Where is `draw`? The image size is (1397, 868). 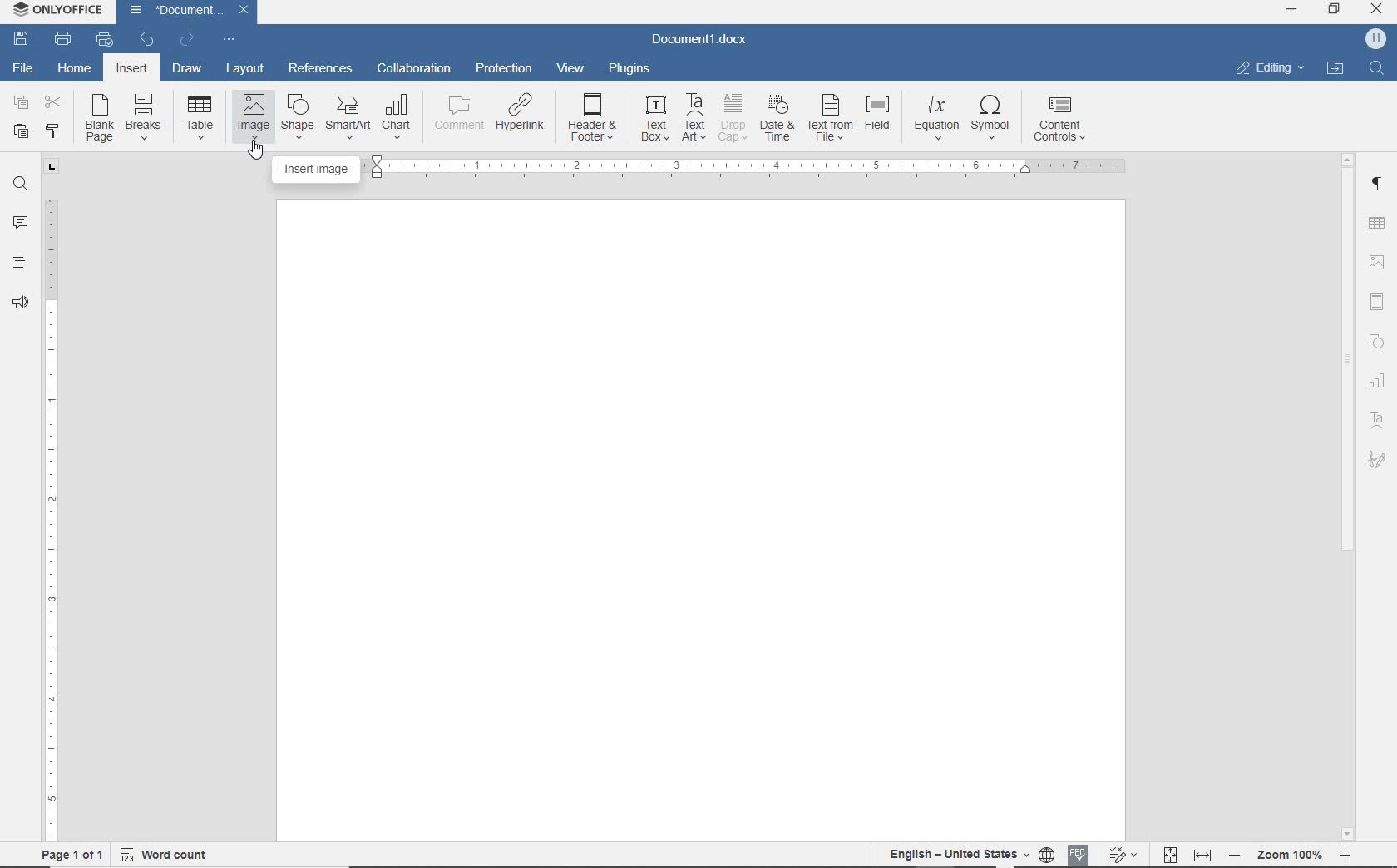
draw is located at coordinates (188, 69).